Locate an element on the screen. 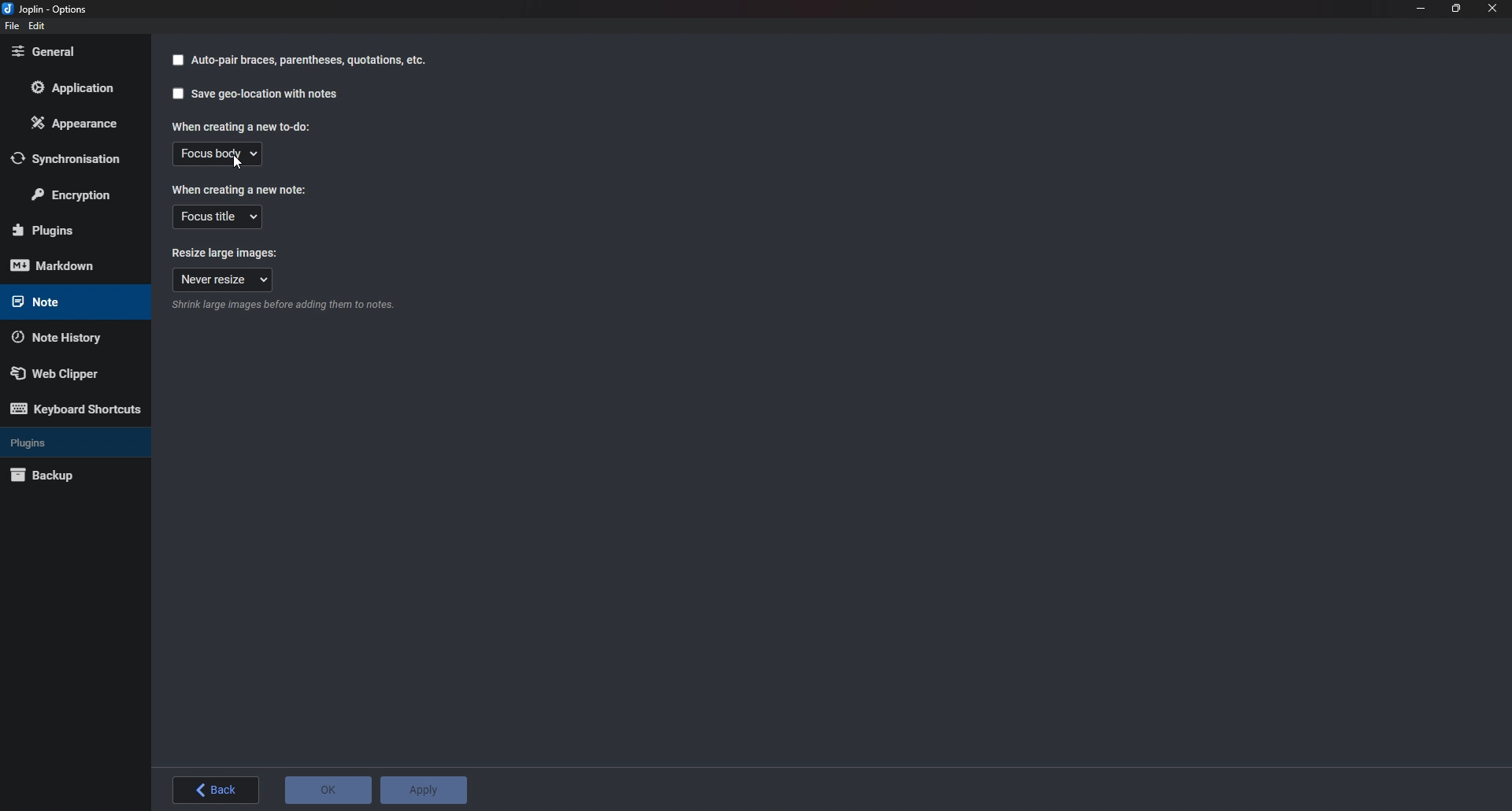 The height and width of the screenshot is (811, 1512). Focus body is located at coordinates (218, 154).